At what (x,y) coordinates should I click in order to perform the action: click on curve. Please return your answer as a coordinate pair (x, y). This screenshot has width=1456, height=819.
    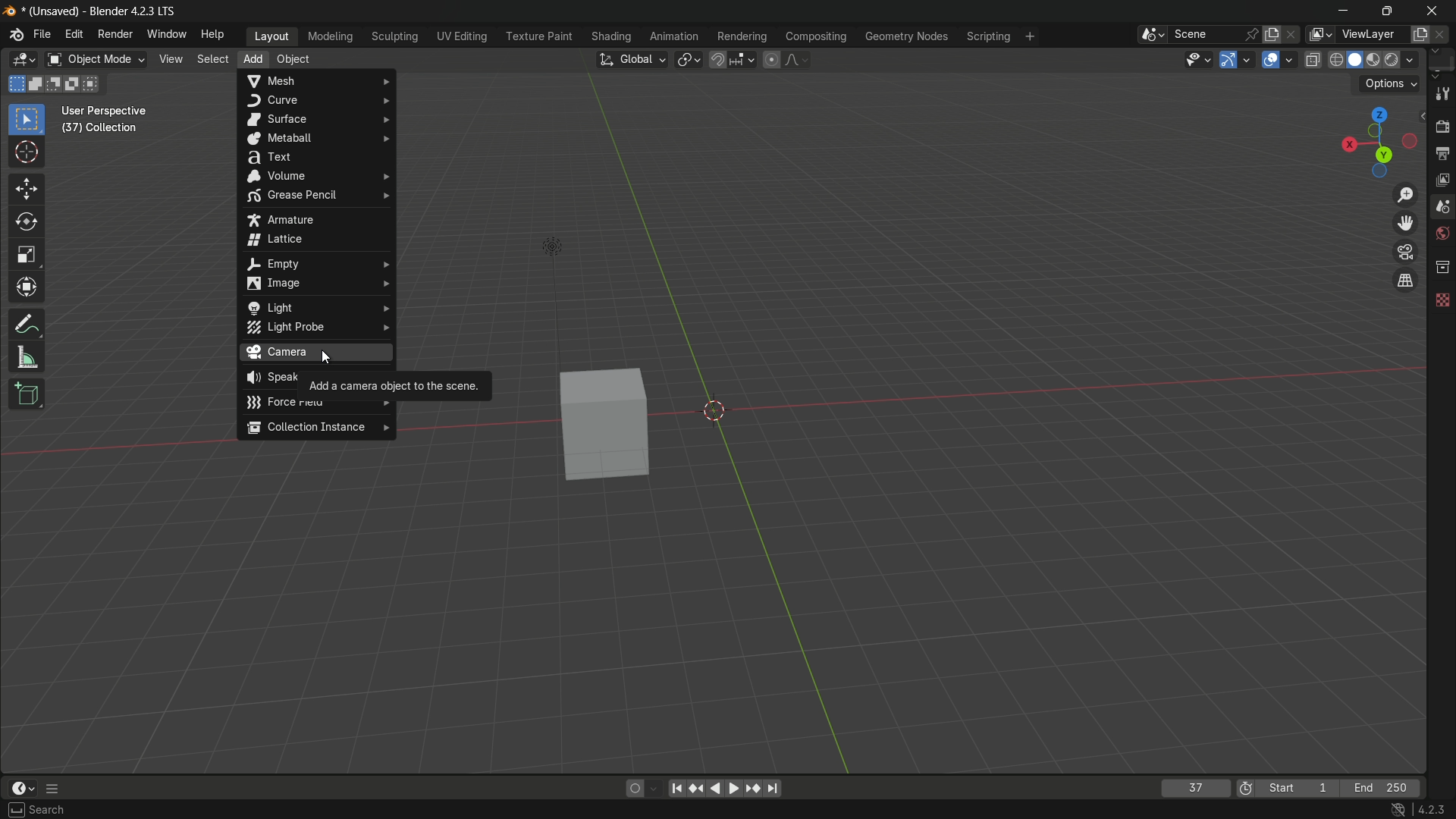
    Looking at the image, I should click on (318, 101).